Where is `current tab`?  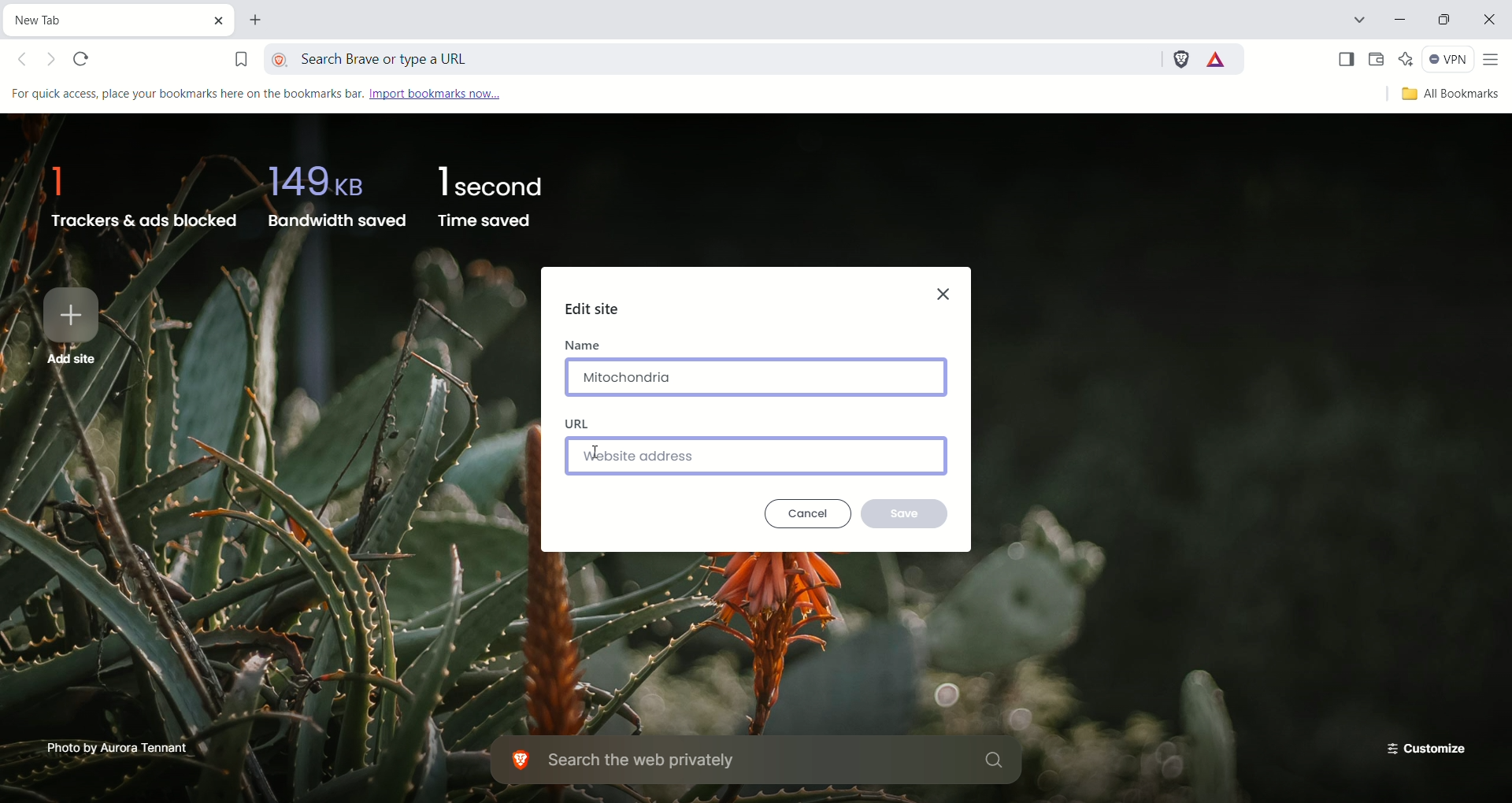
current tab is located at coordinates (106, 18).